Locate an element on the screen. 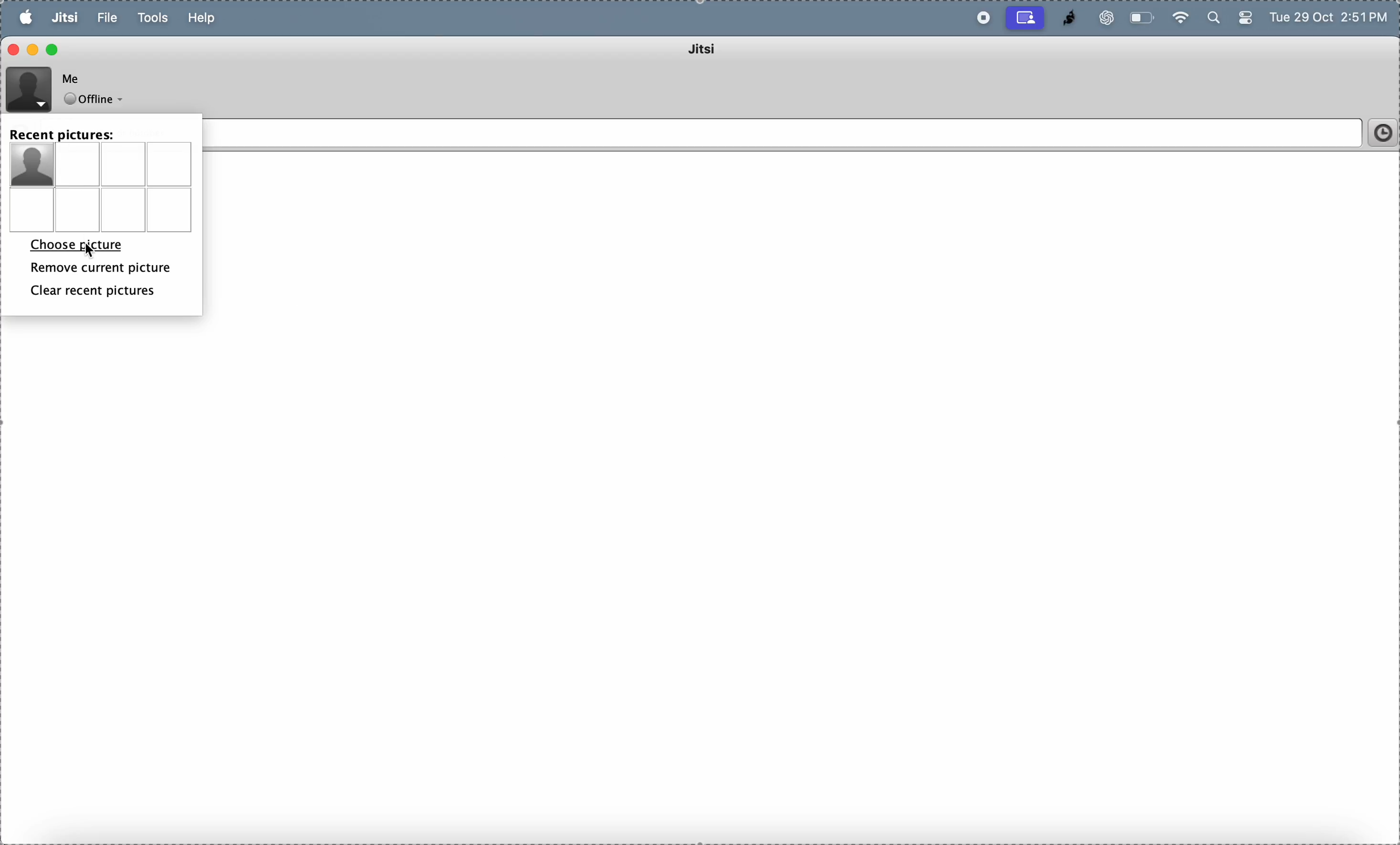  remove current picture is located at coordinates (101, 266).